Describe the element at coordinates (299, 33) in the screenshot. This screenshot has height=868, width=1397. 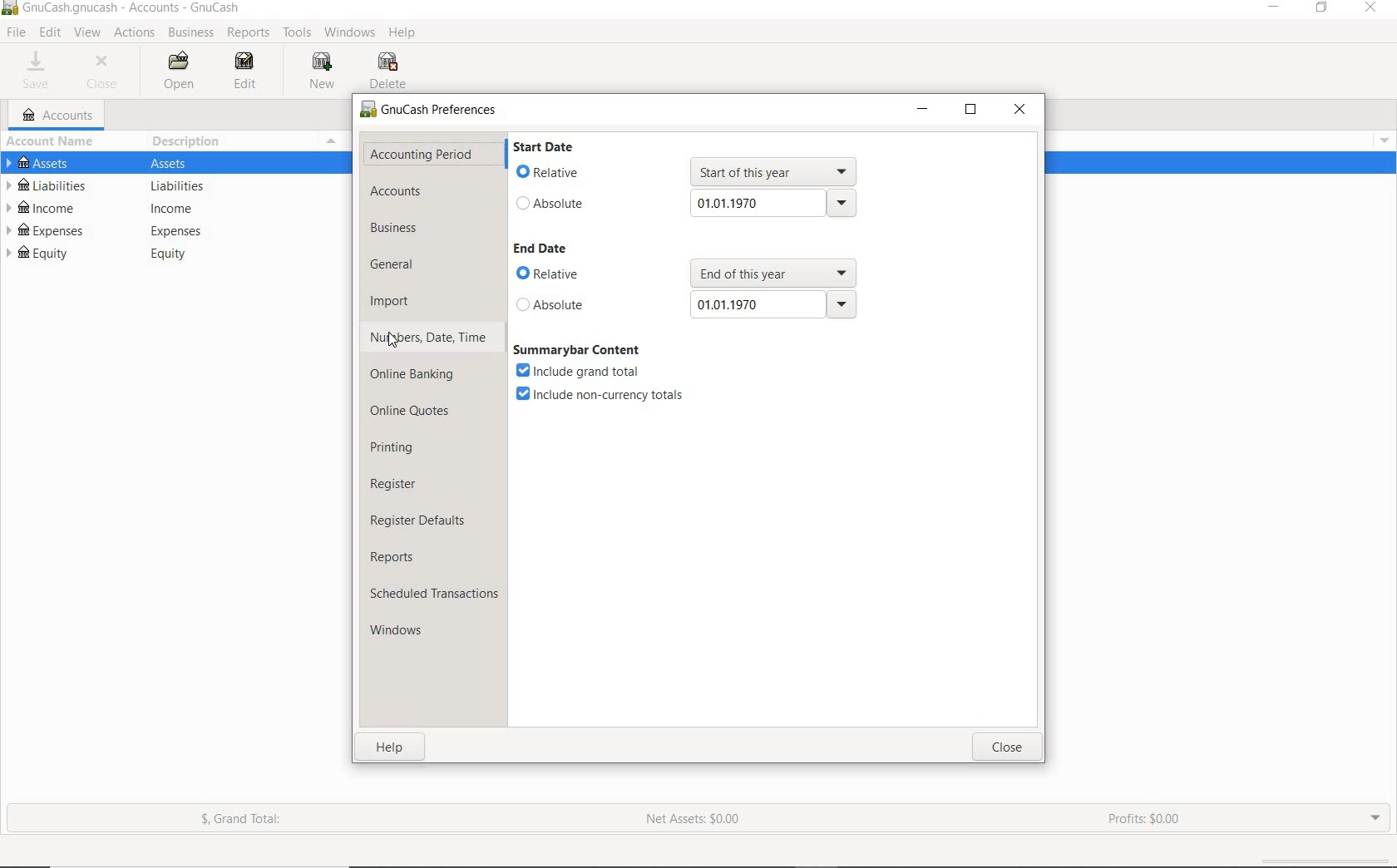
I see `TOOLS` at that location.